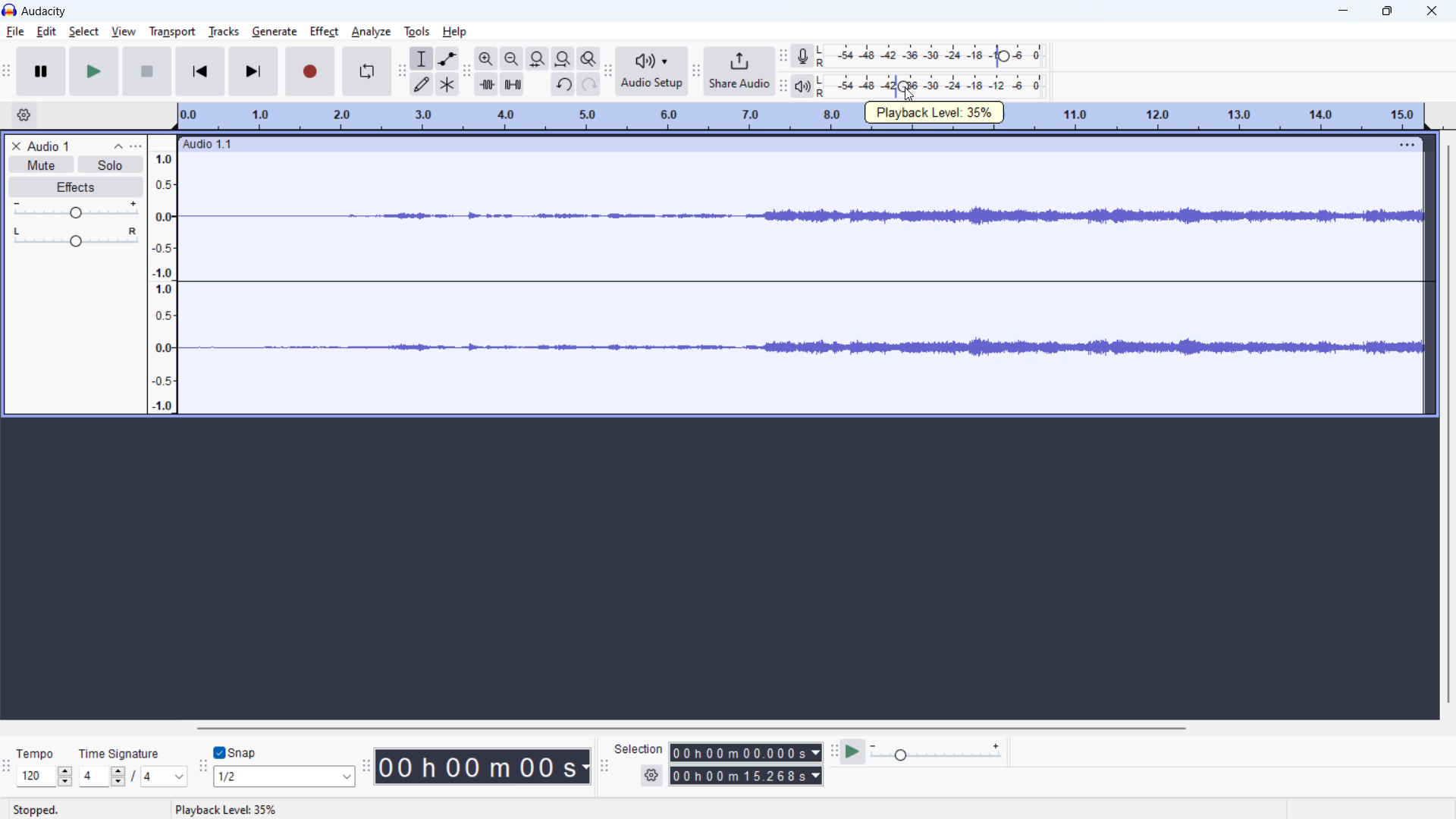  Describe the element at coordinates (652, 72) in the screenshot. I see `audio setup` at that location.